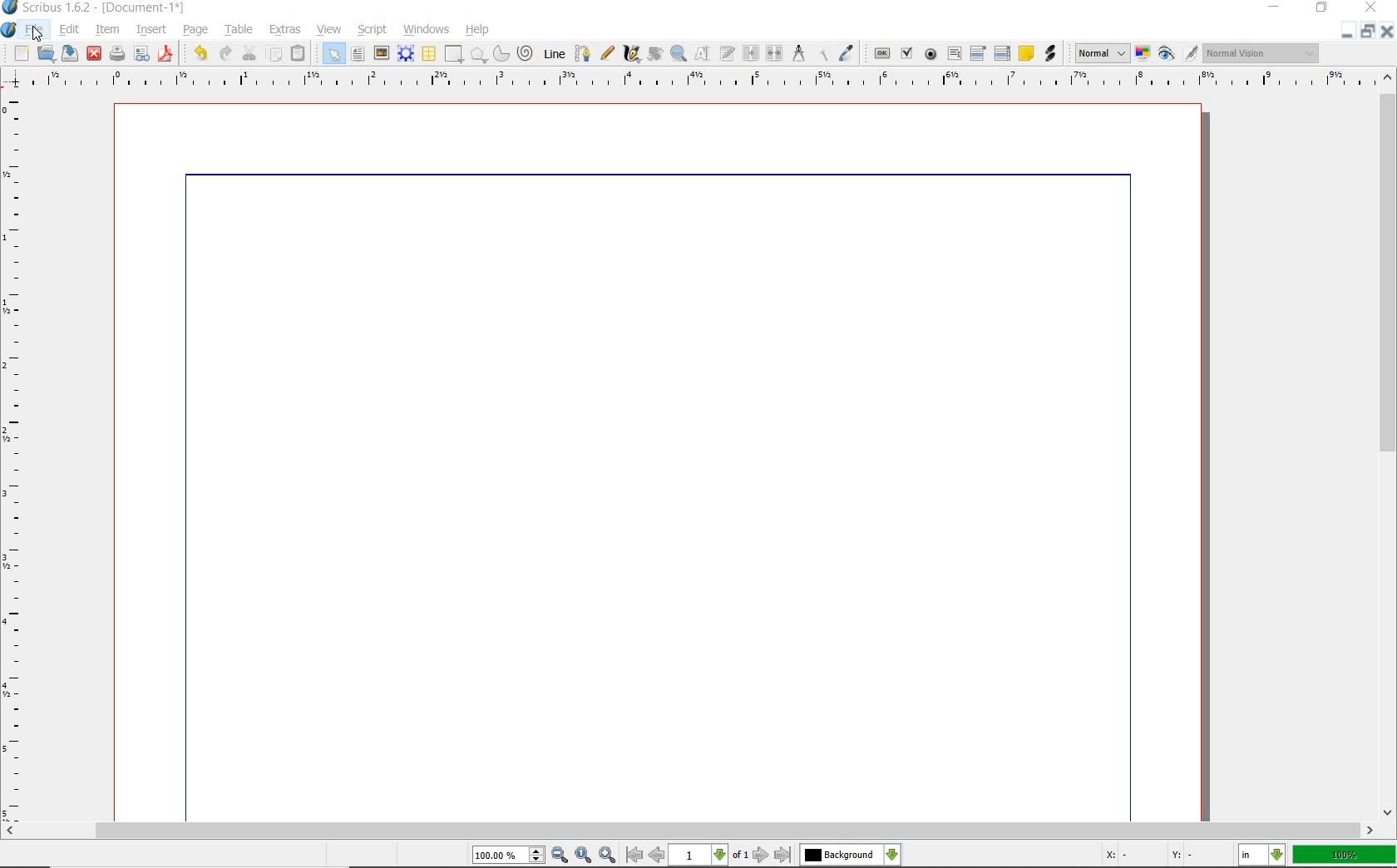 This screenshot has width=1397, height=868. What do you see at coordinates (546, 855) in the screenshot?
I see `zoom in/zoom to/zoom out` at bounding box center [546, 855].